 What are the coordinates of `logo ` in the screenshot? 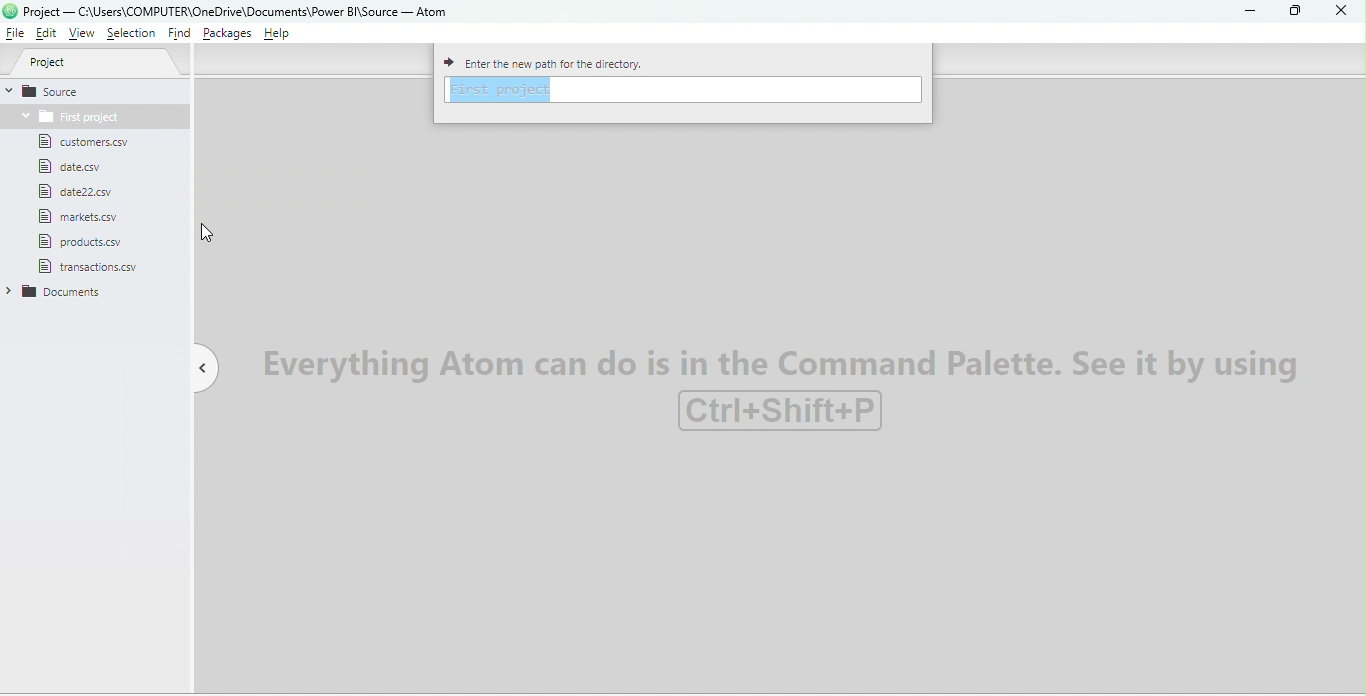 It's located at (10, 11).